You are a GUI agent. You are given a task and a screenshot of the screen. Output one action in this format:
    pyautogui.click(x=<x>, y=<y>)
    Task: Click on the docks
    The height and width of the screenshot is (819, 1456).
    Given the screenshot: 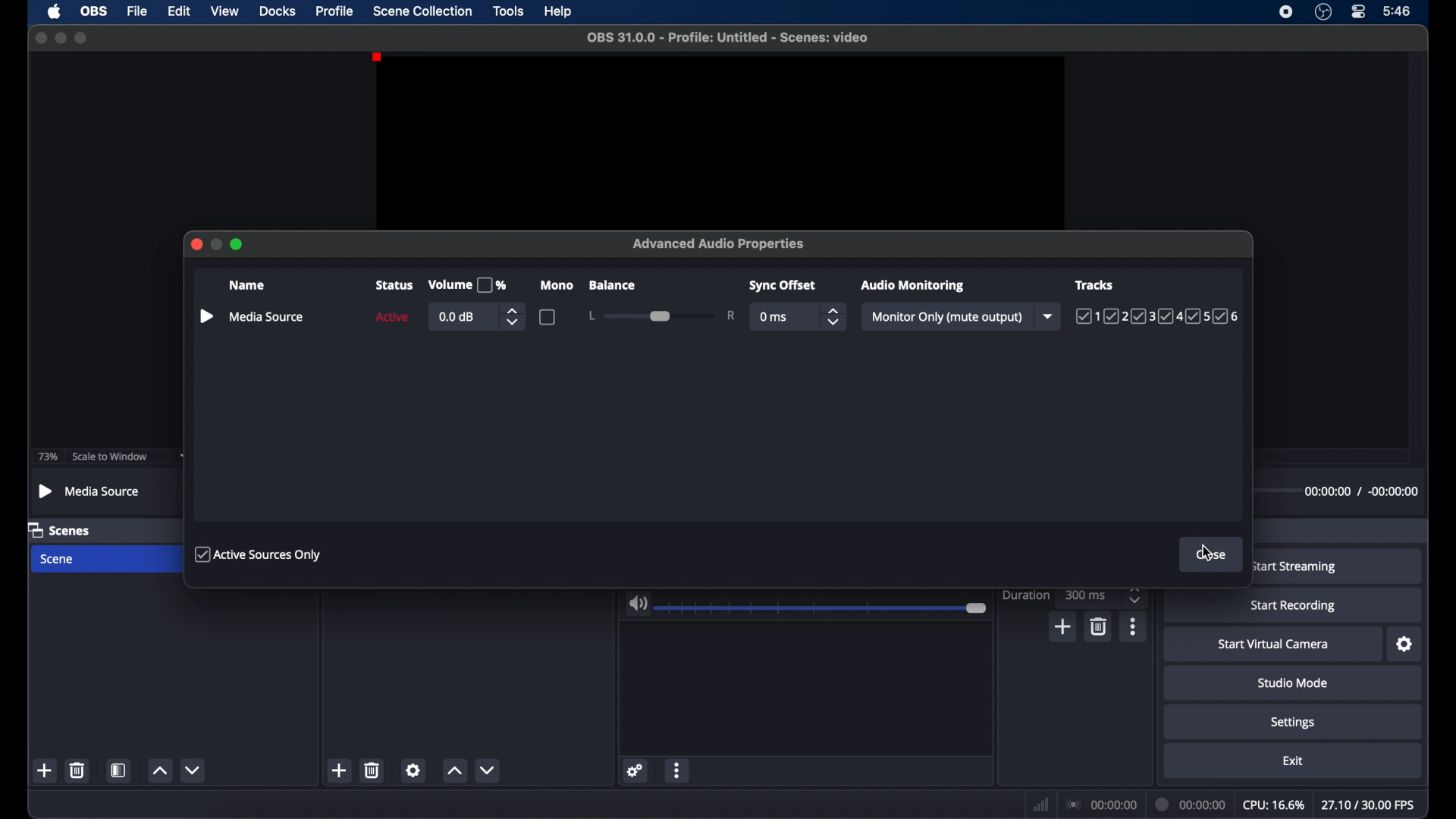 What is the action you would take?
    pyautogui.click(x=278, y=11)
    